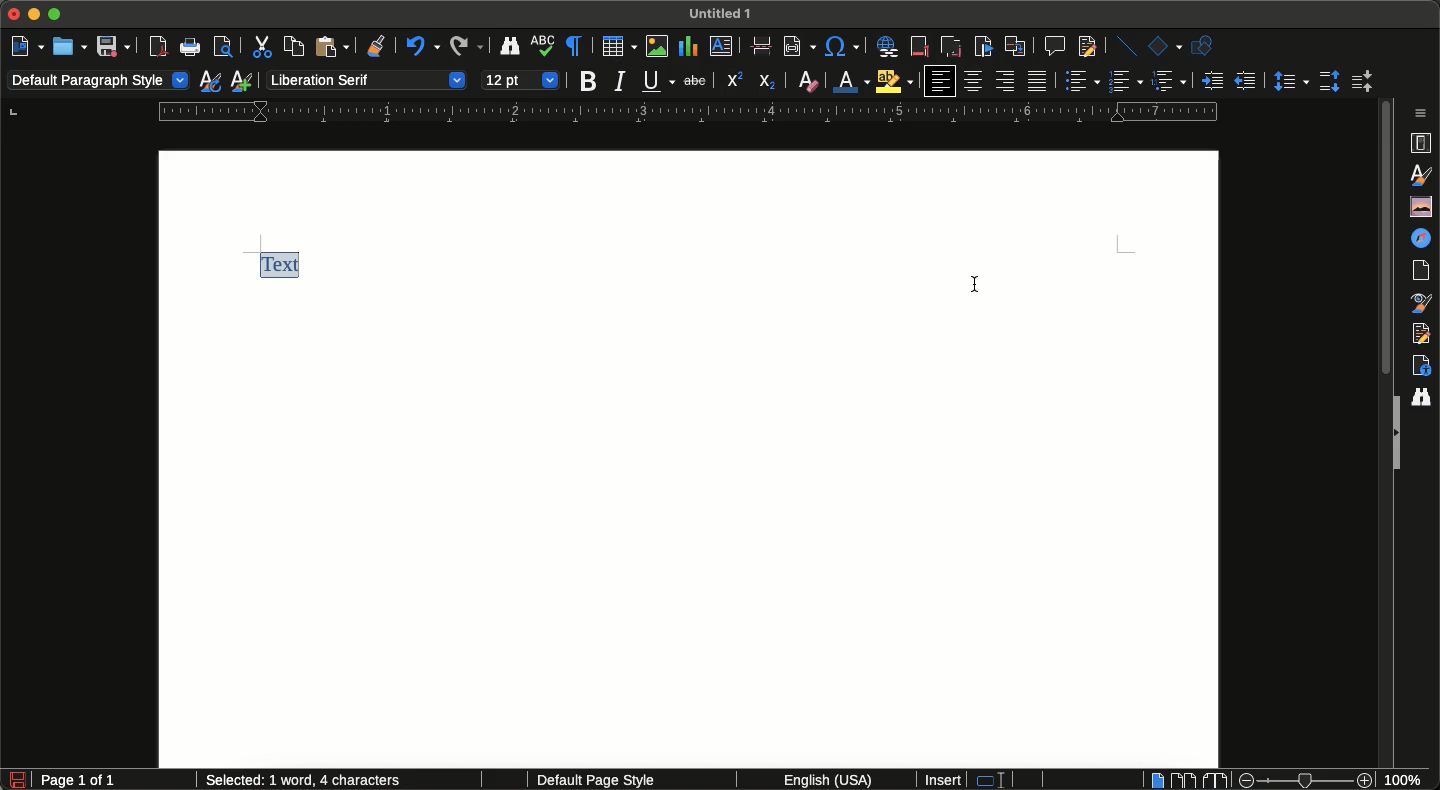  Describe the element at coordinates (619, 46) in the screenshot. I see `Insert table` at that location.